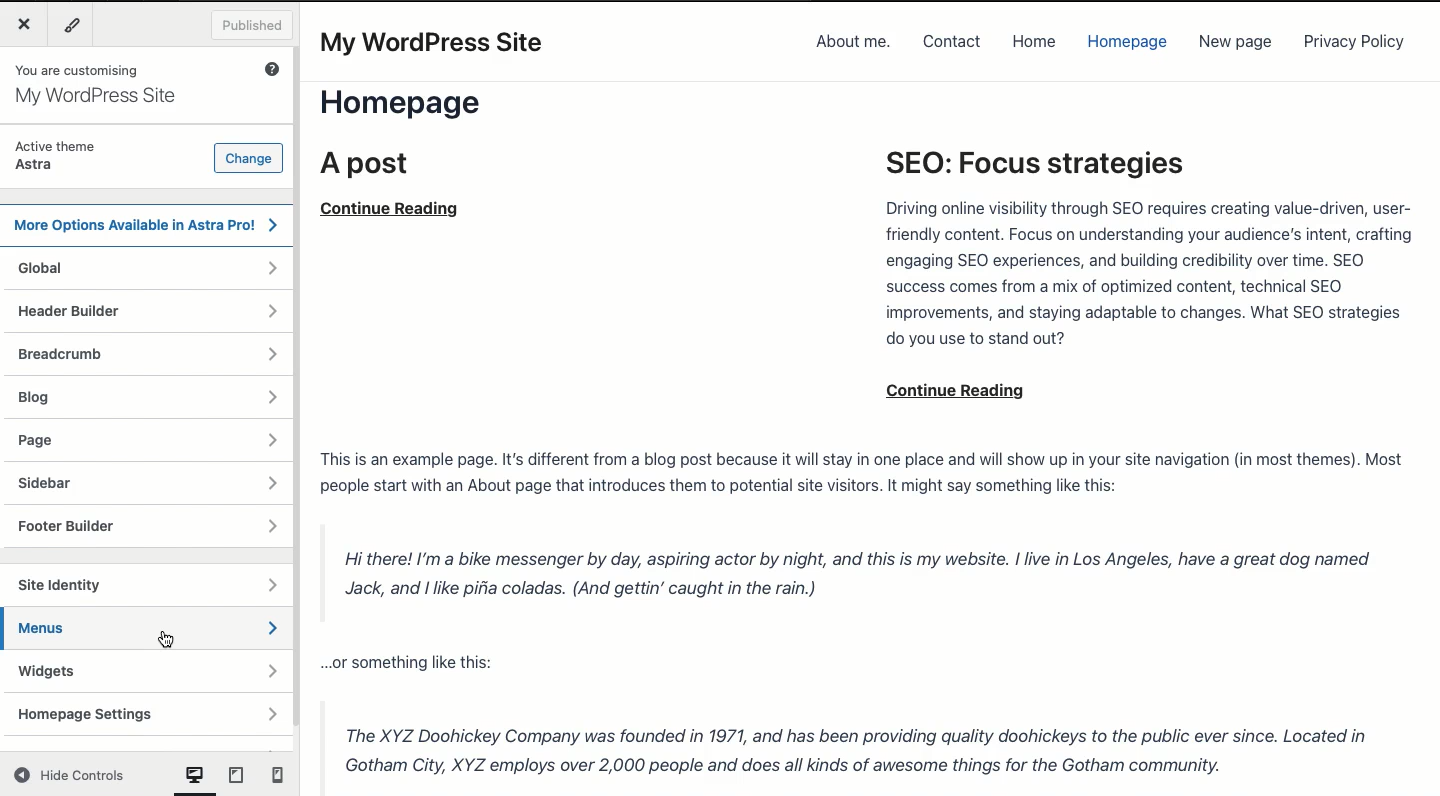 The image size is (1440, 796). I want to click on Header builder, so click(147, 309).